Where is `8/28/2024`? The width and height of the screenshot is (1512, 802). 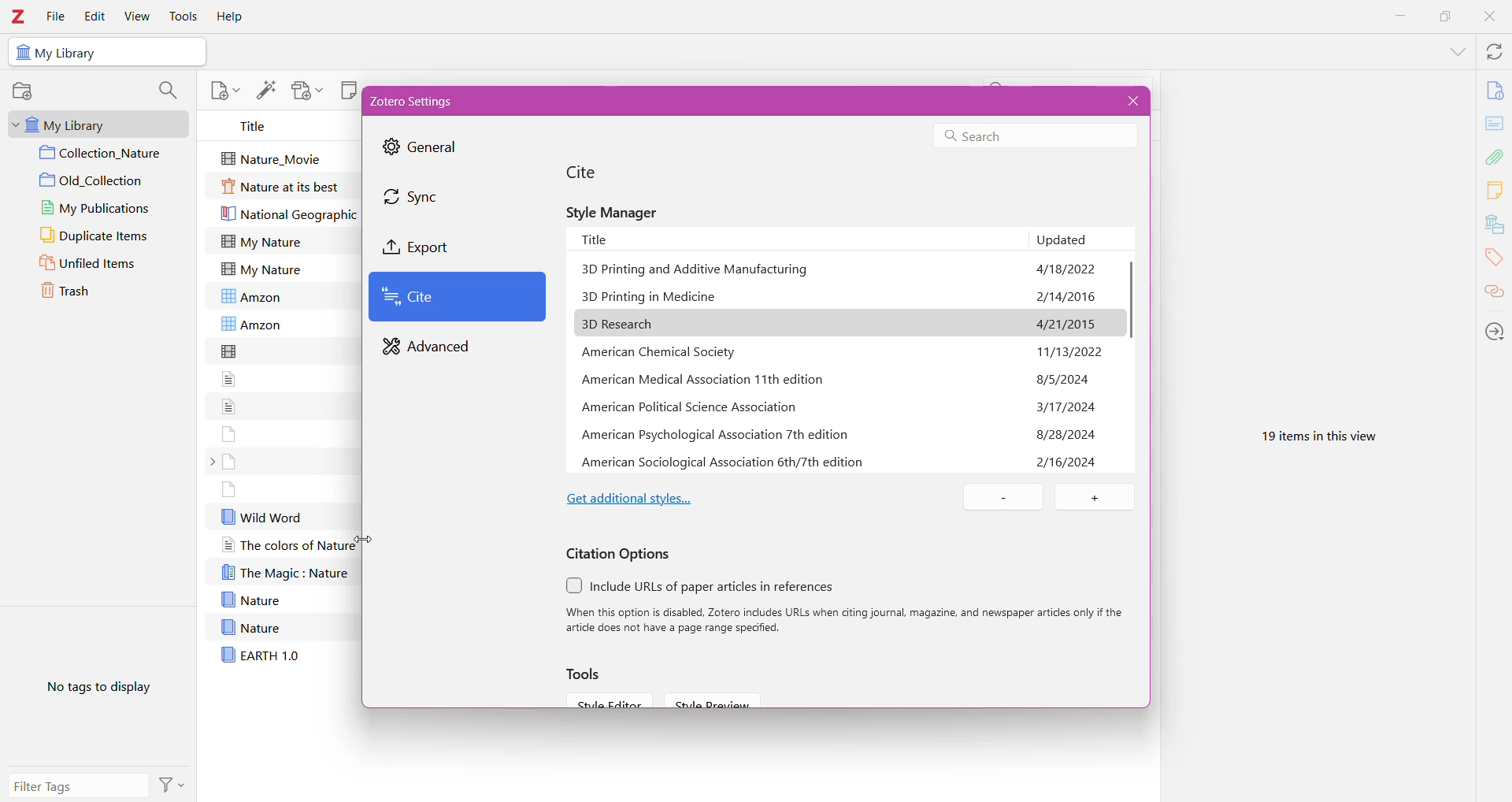
8/28/2024 is located at coordinates (1066, 407).